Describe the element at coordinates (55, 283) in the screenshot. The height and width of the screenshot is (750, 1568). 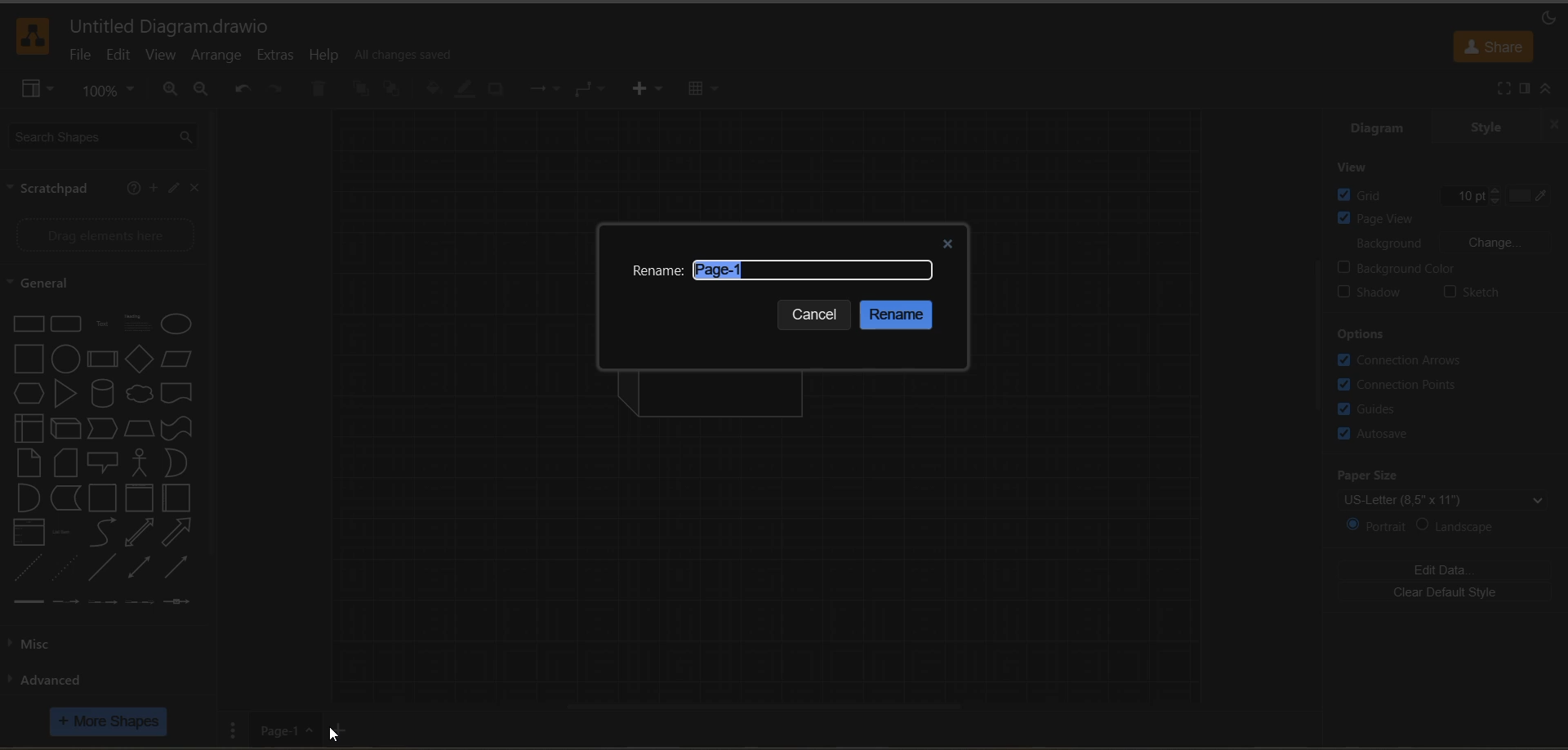
I see `general` at that location.